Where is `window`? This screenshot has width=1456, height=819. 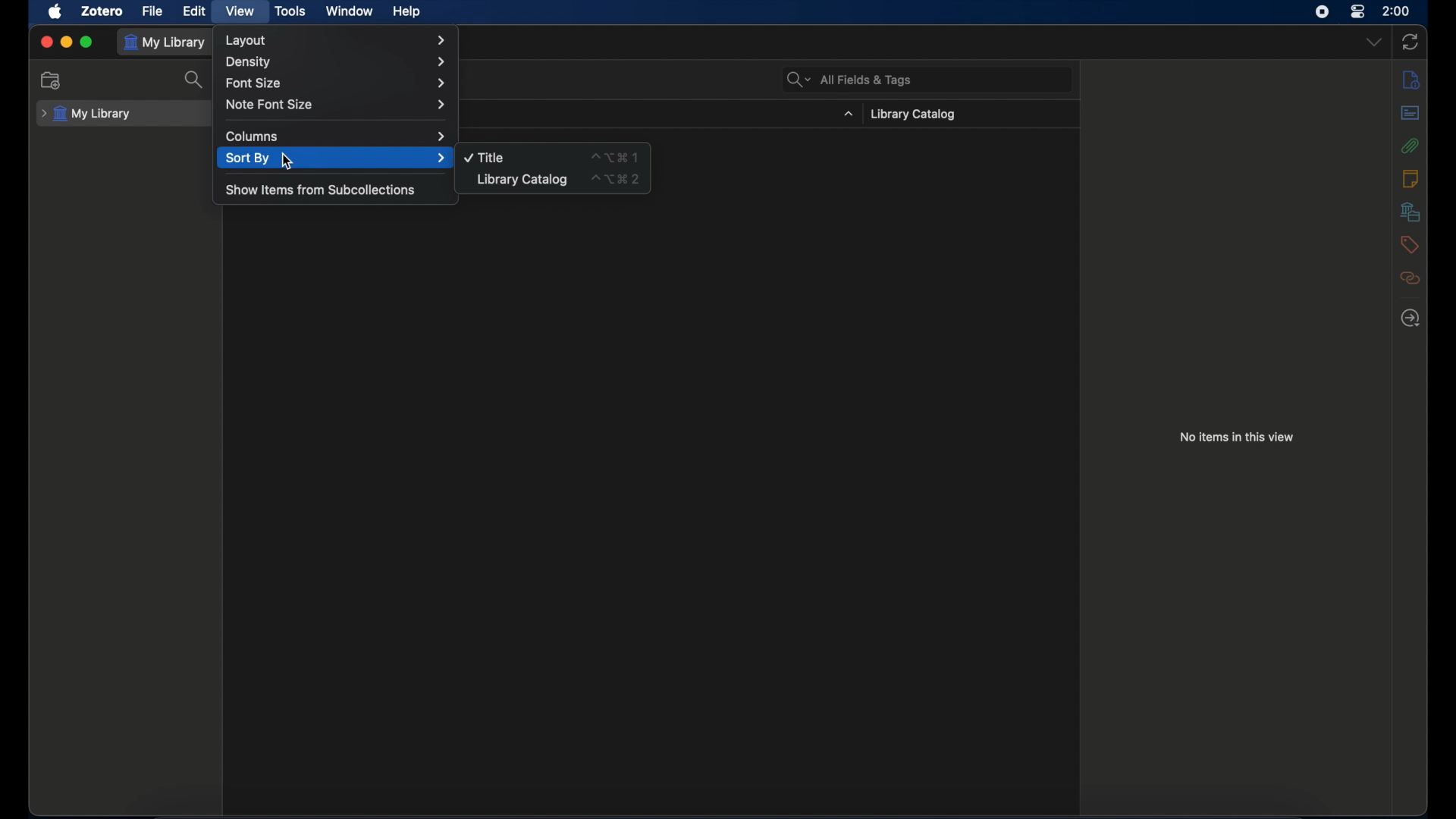
window is located at coordinates (350, 12).